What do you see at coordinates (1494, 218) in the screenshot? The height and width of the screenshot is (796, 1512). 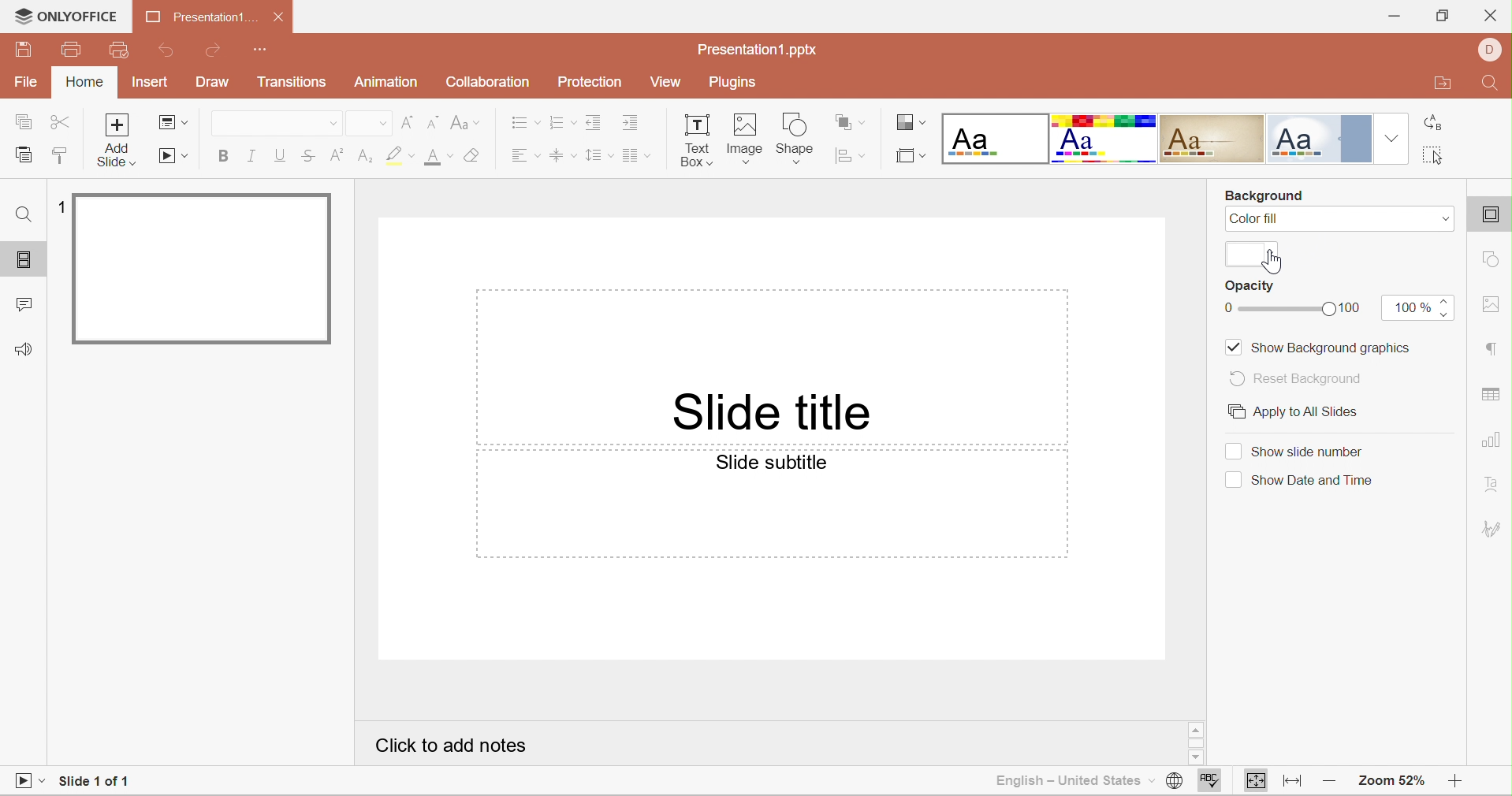 I see `slide settings` at bounding box center [1494, 218].